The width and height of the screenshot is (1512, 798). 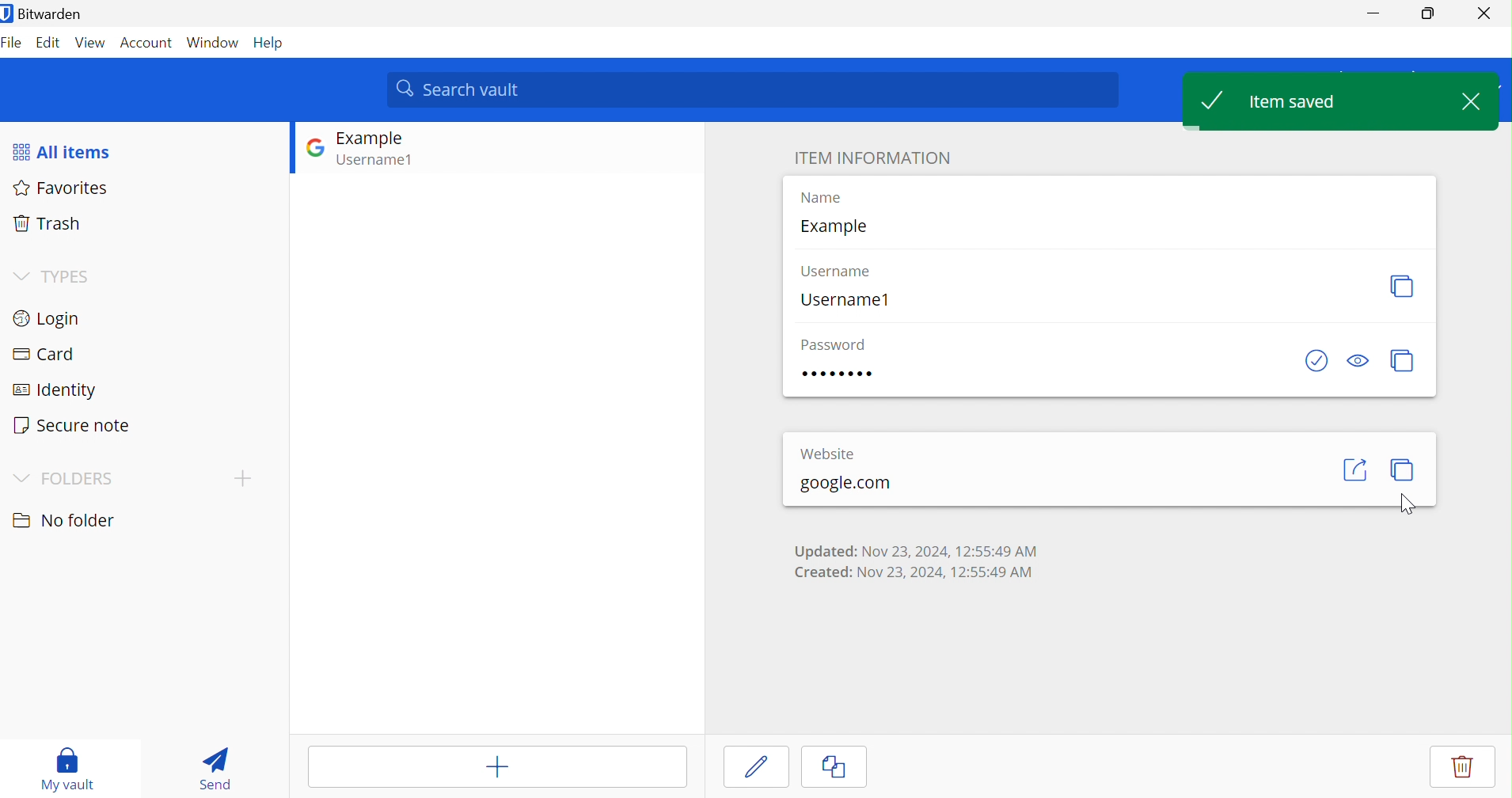 What do you see at coordinates (73, 424) in the screenshot?
I see `Secure note` at bounding box center [73, 424].